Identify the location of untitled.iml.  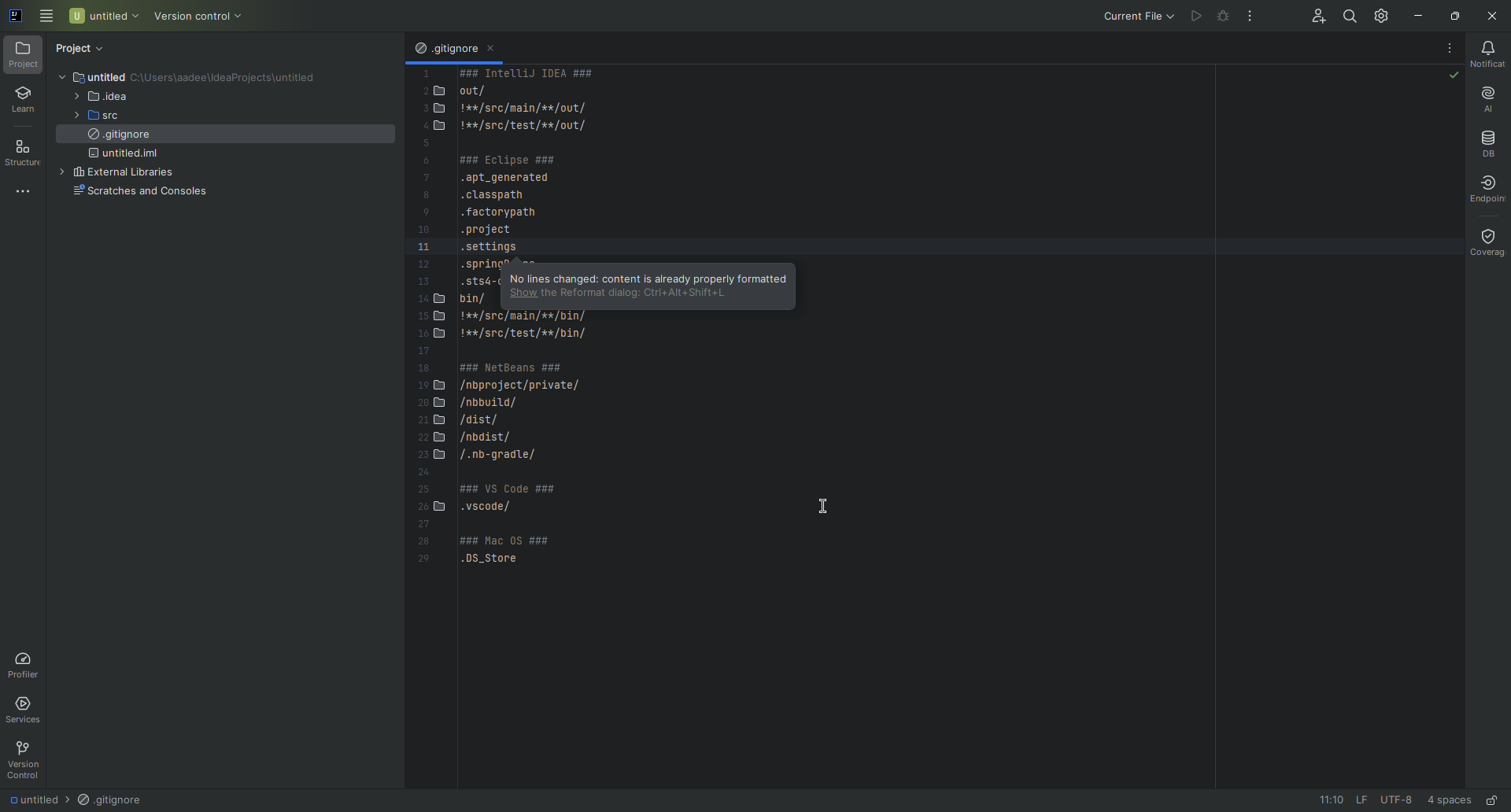
(129, 157).